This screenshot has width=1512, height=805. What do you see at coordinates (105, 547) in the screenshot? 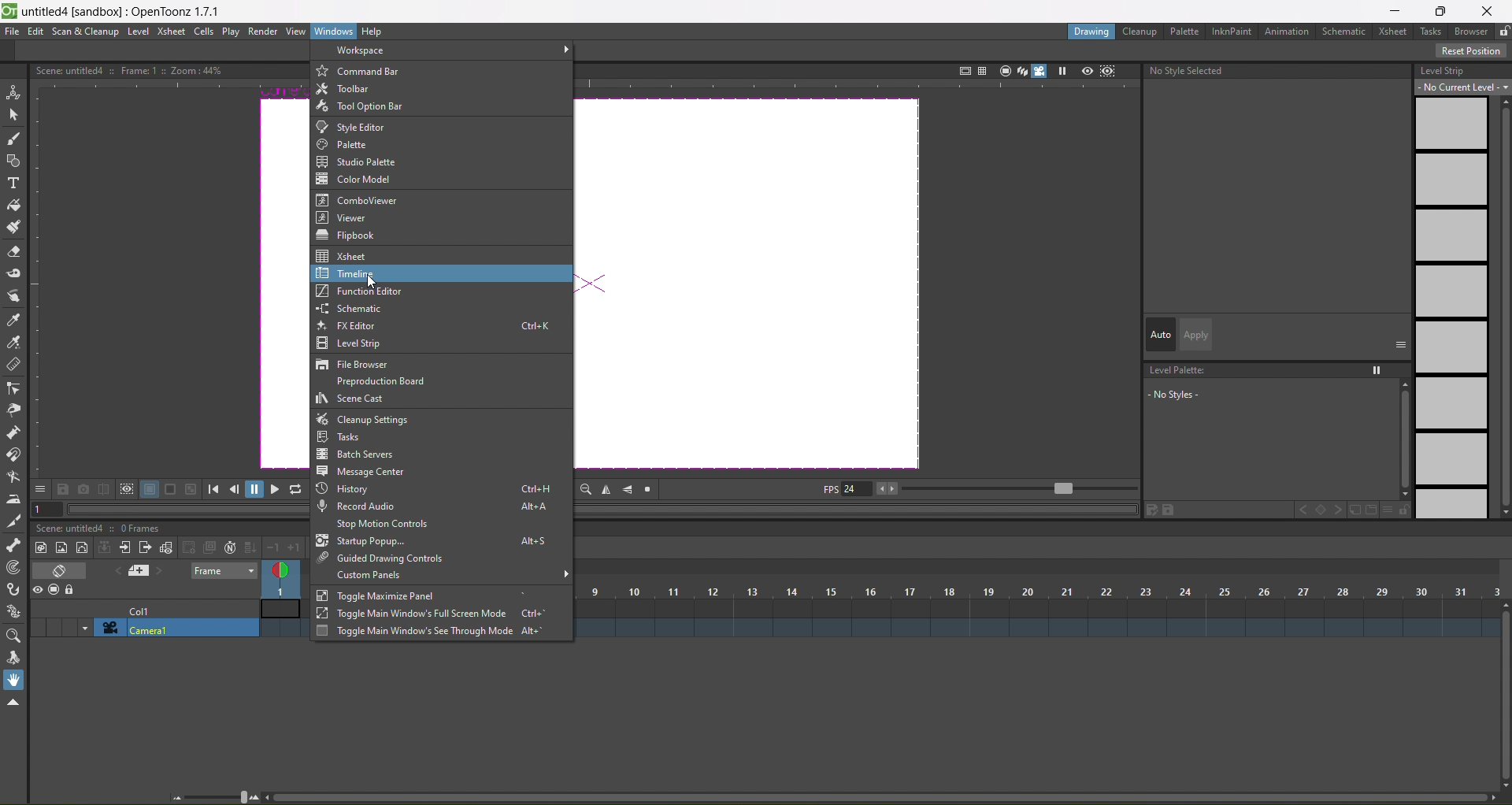
I see `collapse` at bounding box center [105, 547].